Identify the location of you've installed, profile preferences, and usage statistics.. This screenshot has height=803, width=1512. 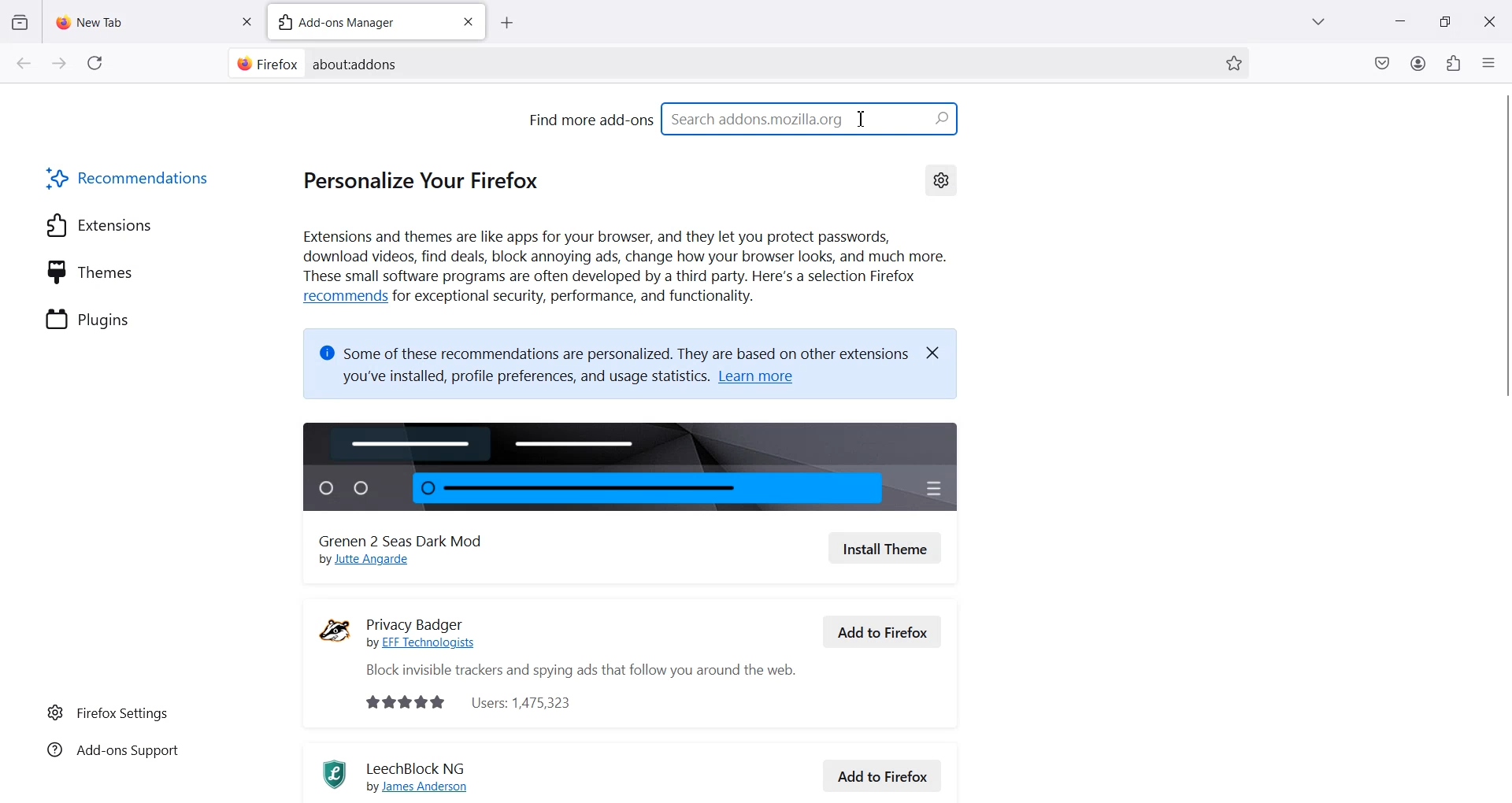
(514, 379).